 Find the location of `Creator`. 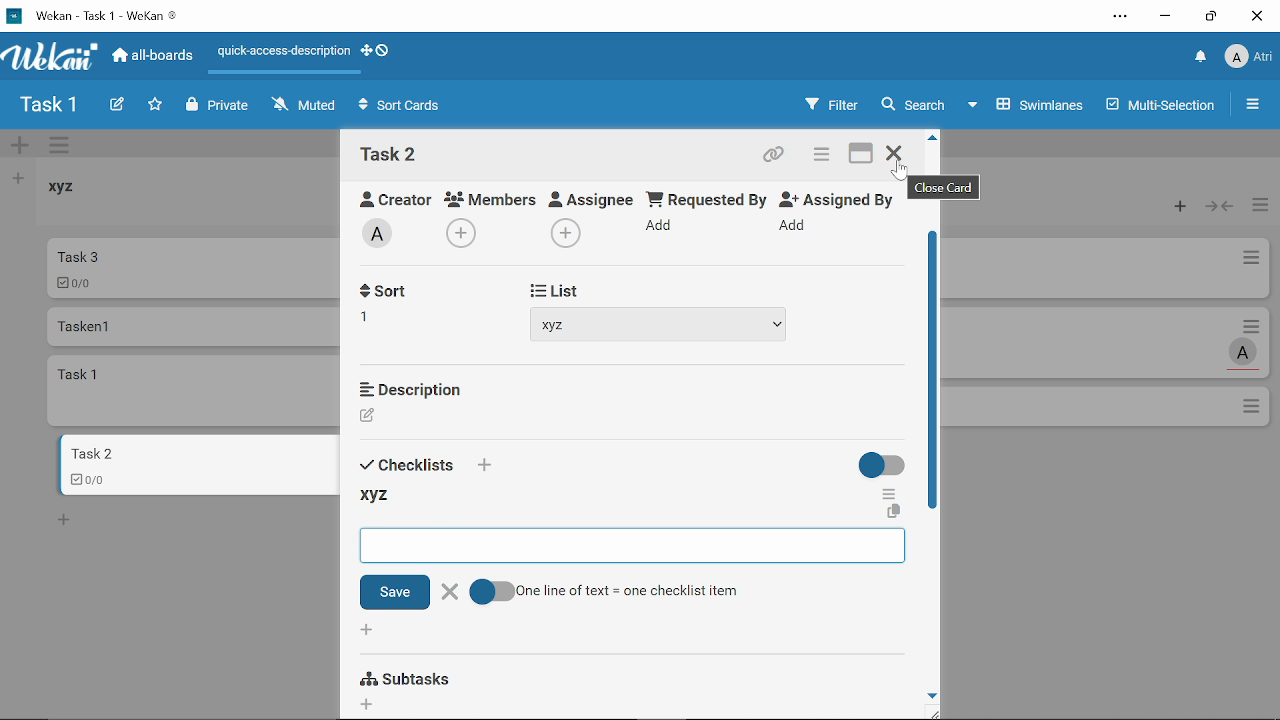

Creator is located at coordinates (368, 416).